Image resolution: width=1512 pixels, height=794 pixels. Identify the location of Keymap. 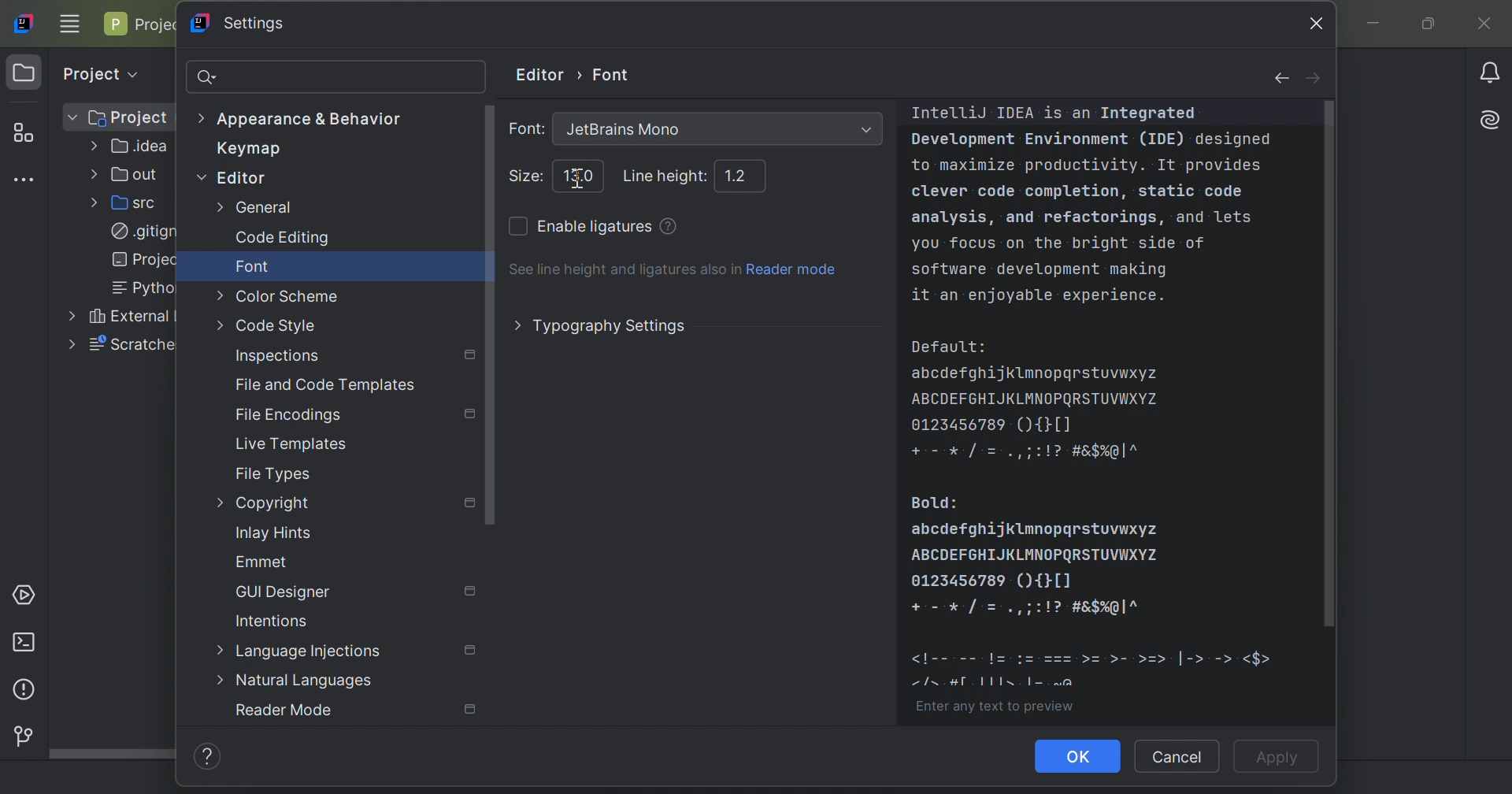
(242, 150).